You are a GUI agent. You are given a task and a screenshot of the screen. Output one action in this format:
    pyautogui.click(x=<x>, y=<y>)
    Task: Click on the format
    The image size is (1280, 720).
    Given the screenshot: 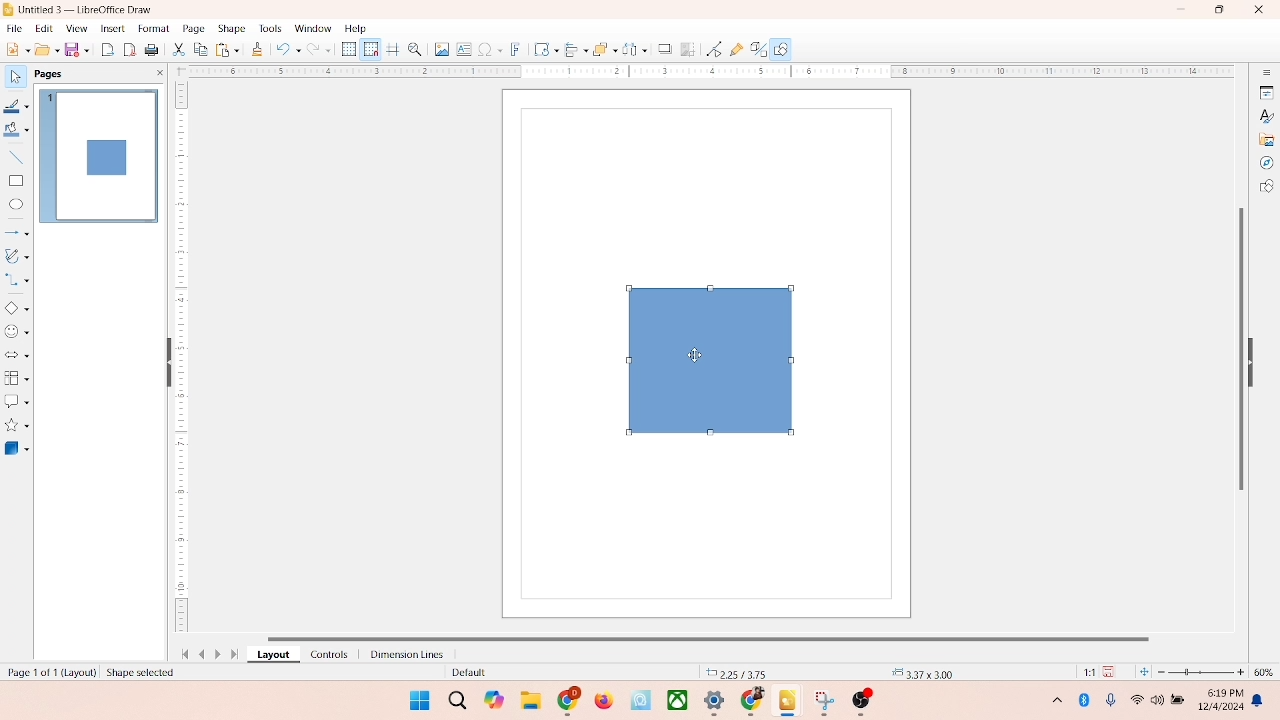 What is the action you would take?
    pyautogui.click(x=153, y=27)
    